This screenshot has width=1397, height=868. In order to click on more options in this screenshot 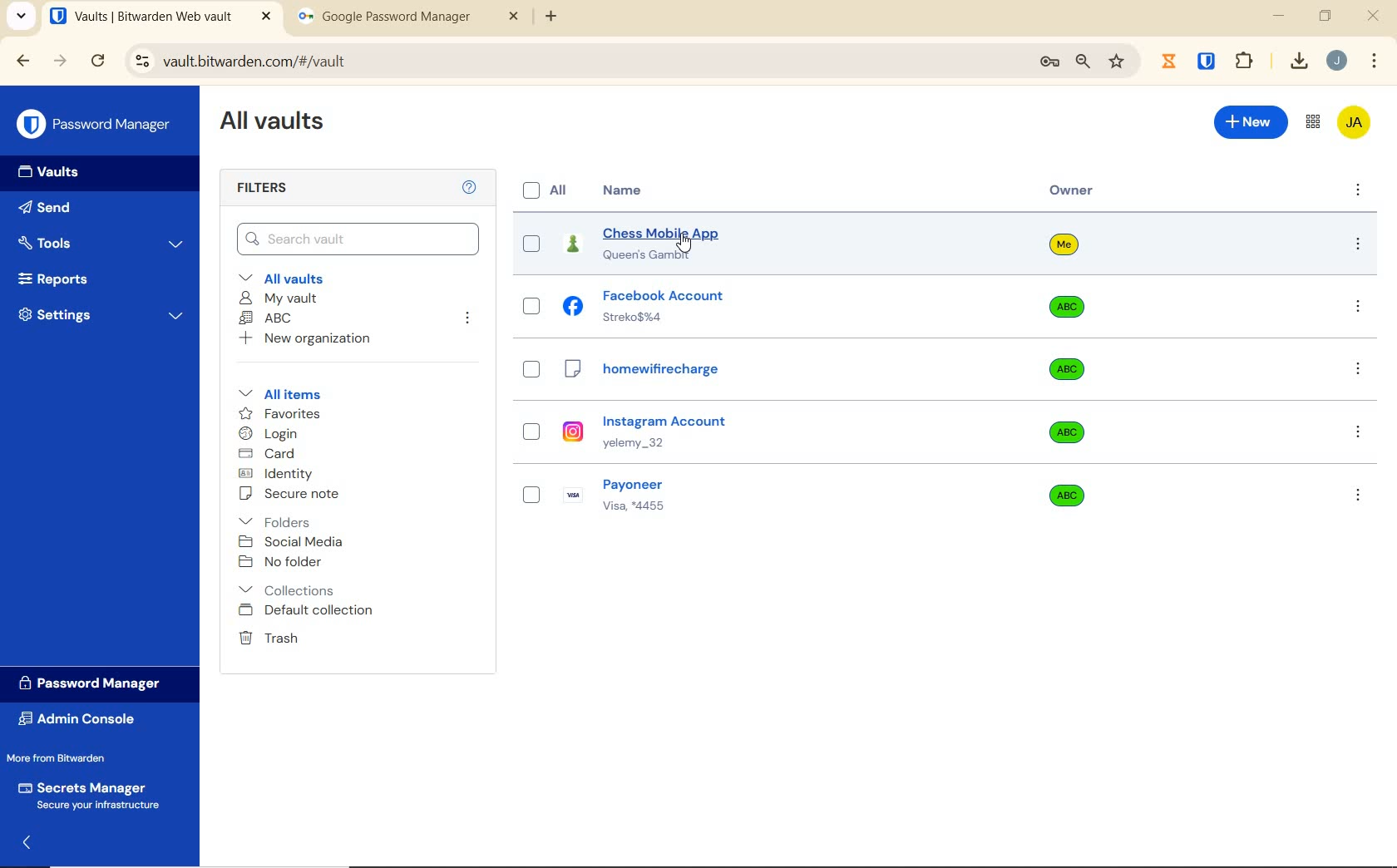, I will do `click(1359, 187)`.